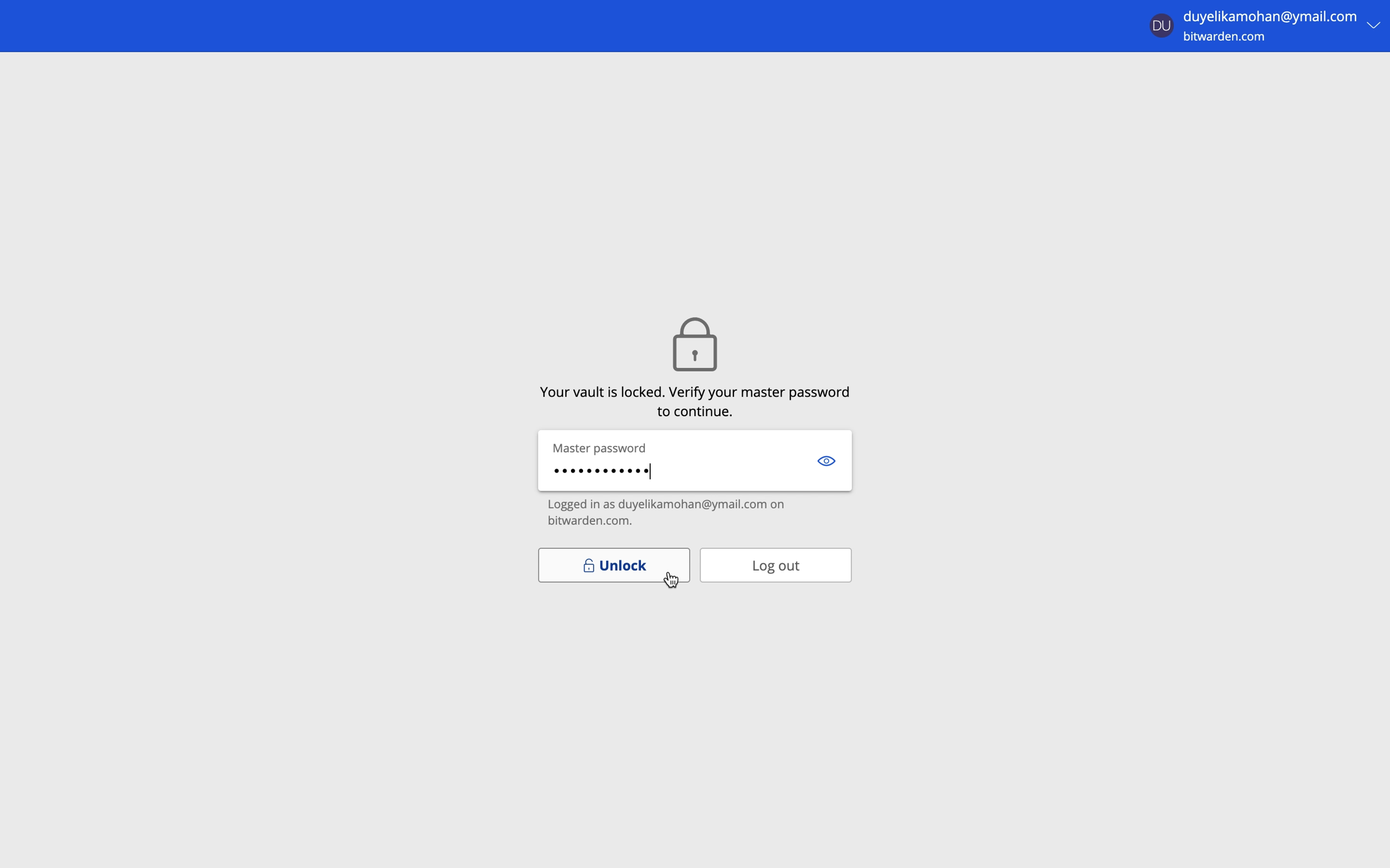  I want to click on account menu, so click(1262, 26).